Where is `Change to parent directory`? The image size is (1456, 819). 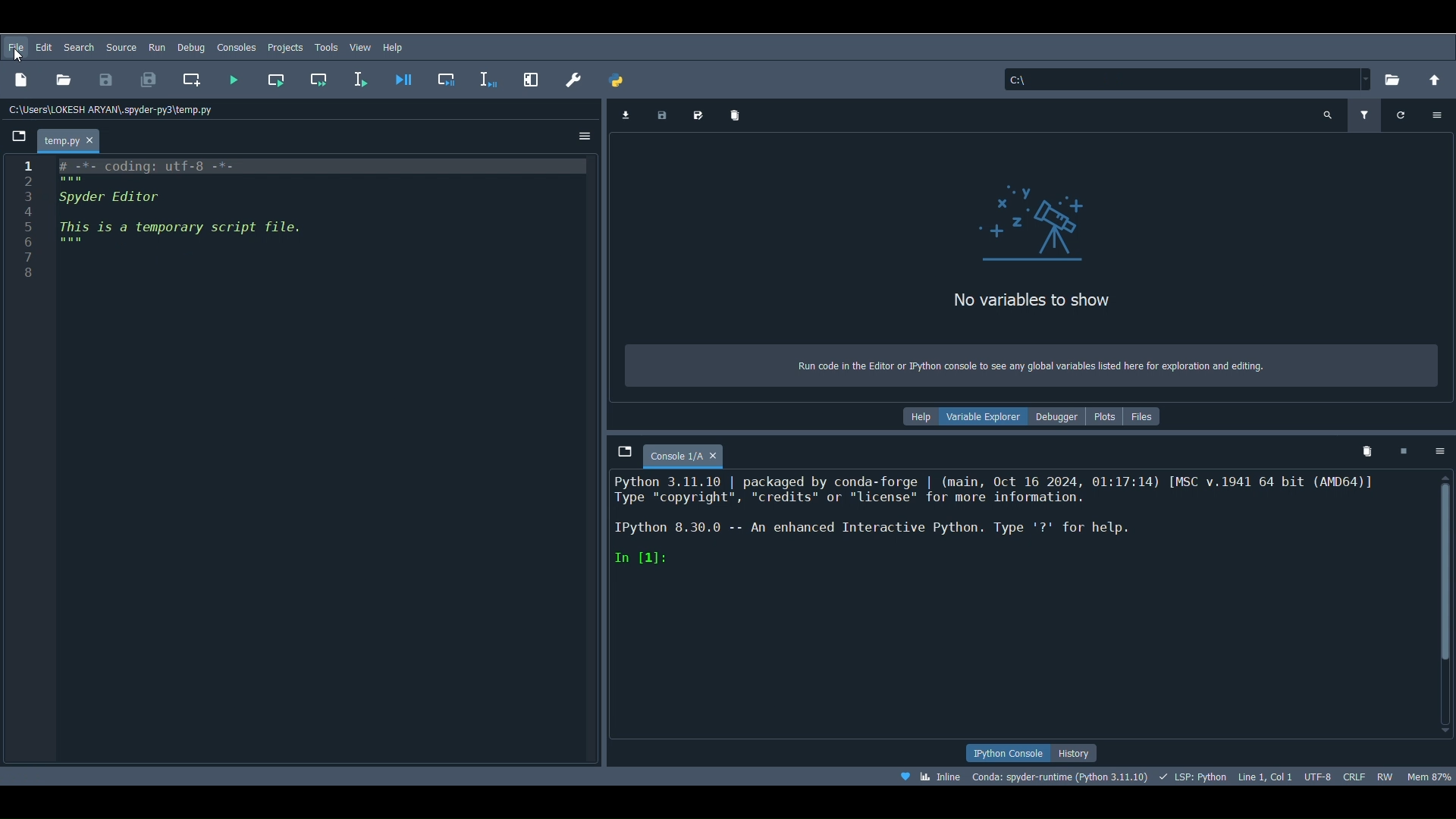 Change to parent directory is located at coordinates (1436, 78).